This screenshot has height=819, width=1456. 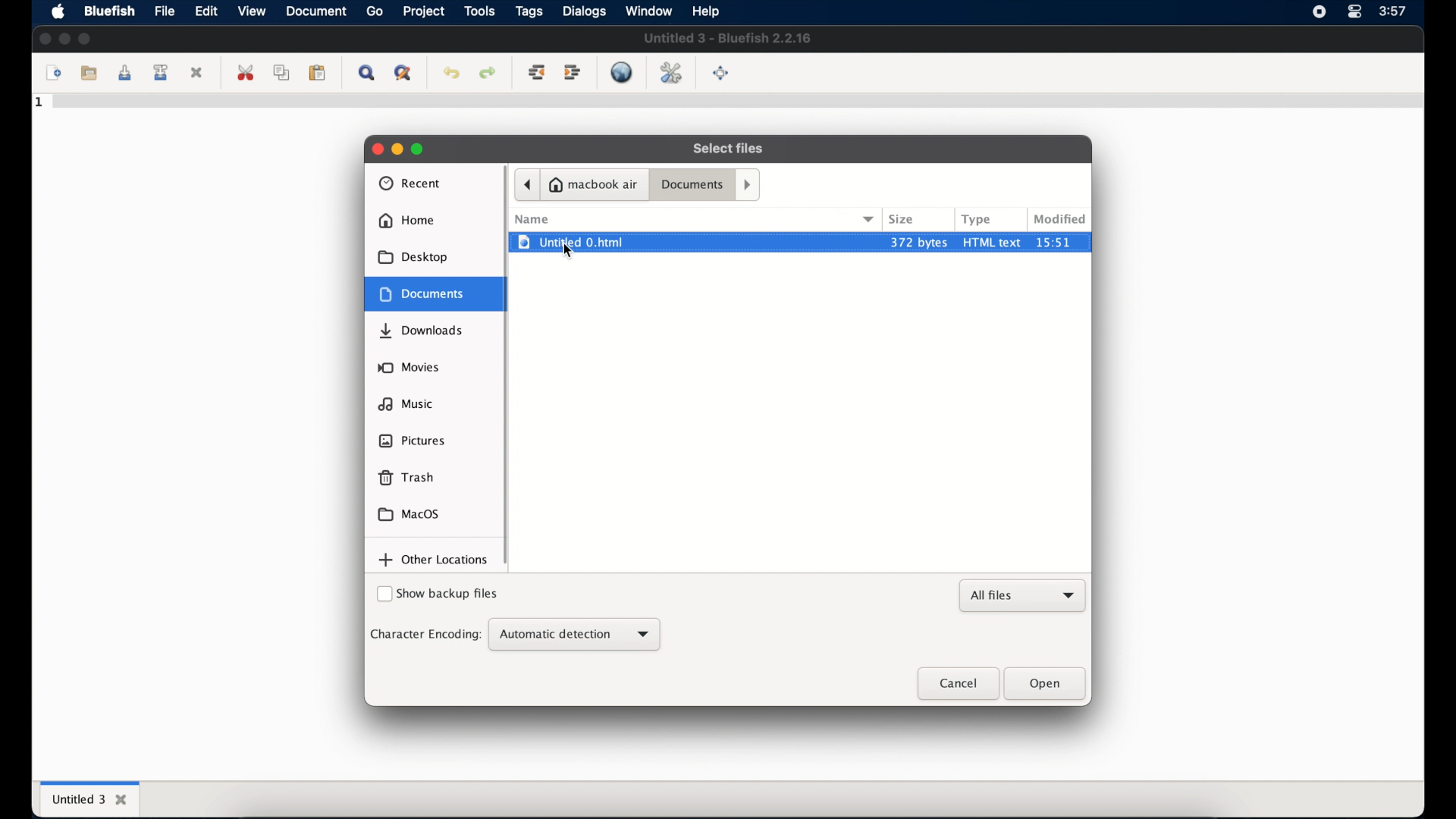 I want to click on undo , so click(x=451, y=74).